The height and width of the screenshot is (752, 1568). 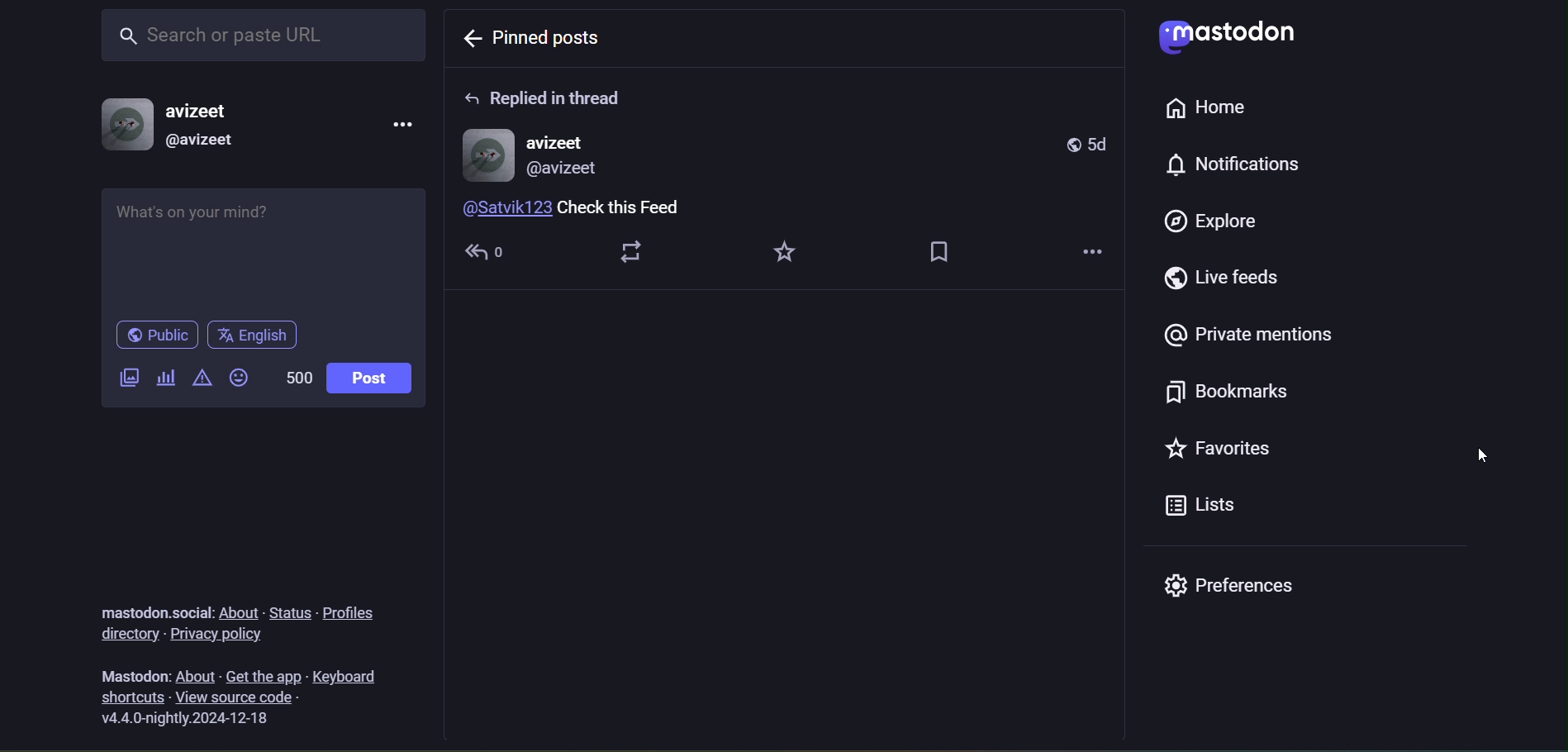 What do you see at coordinates (239, 377) in the screenshot?
I see `emojis` at bounding box center [239, 377].